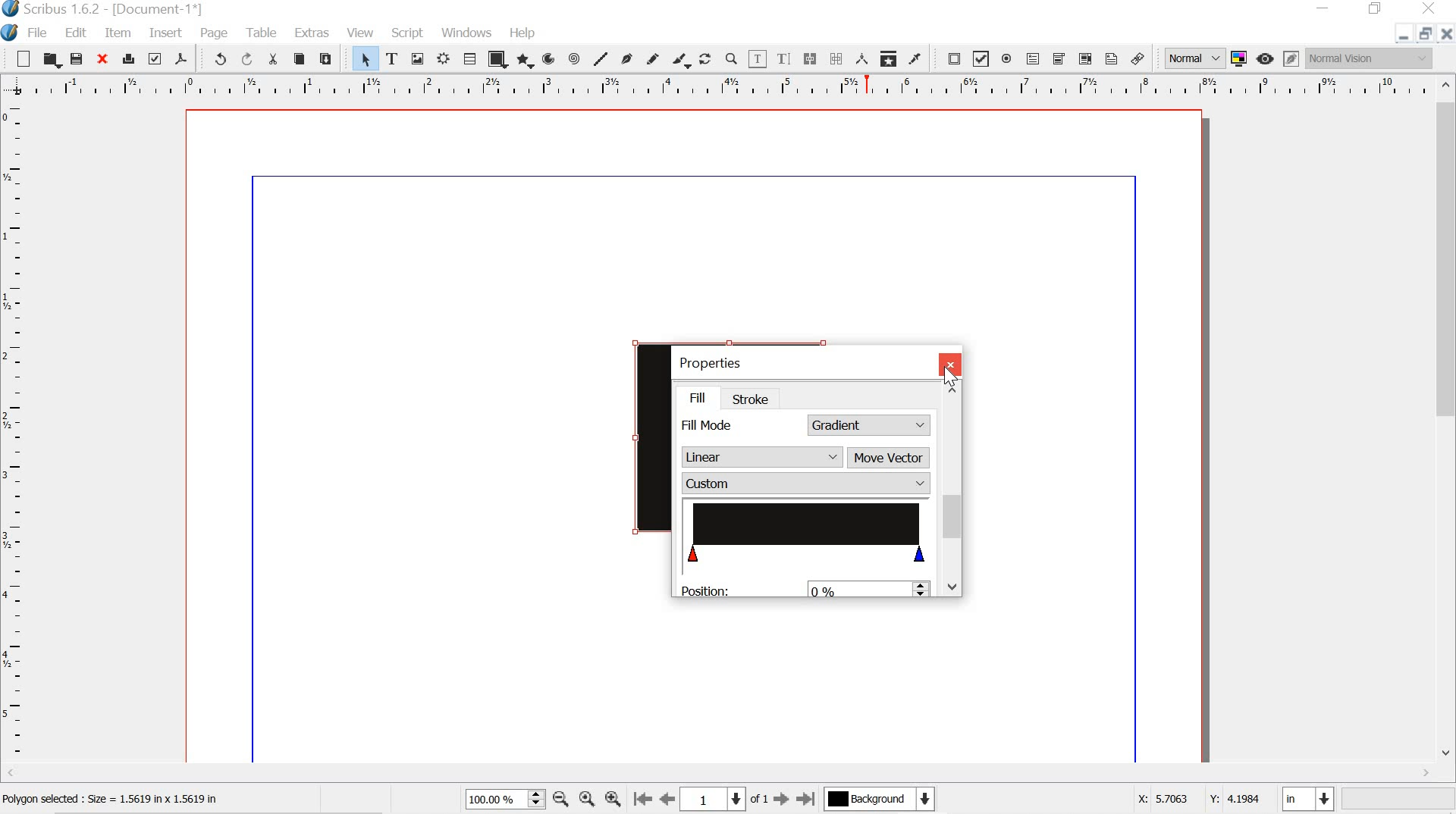  I want to click on go to previous page, so click(669, 800).